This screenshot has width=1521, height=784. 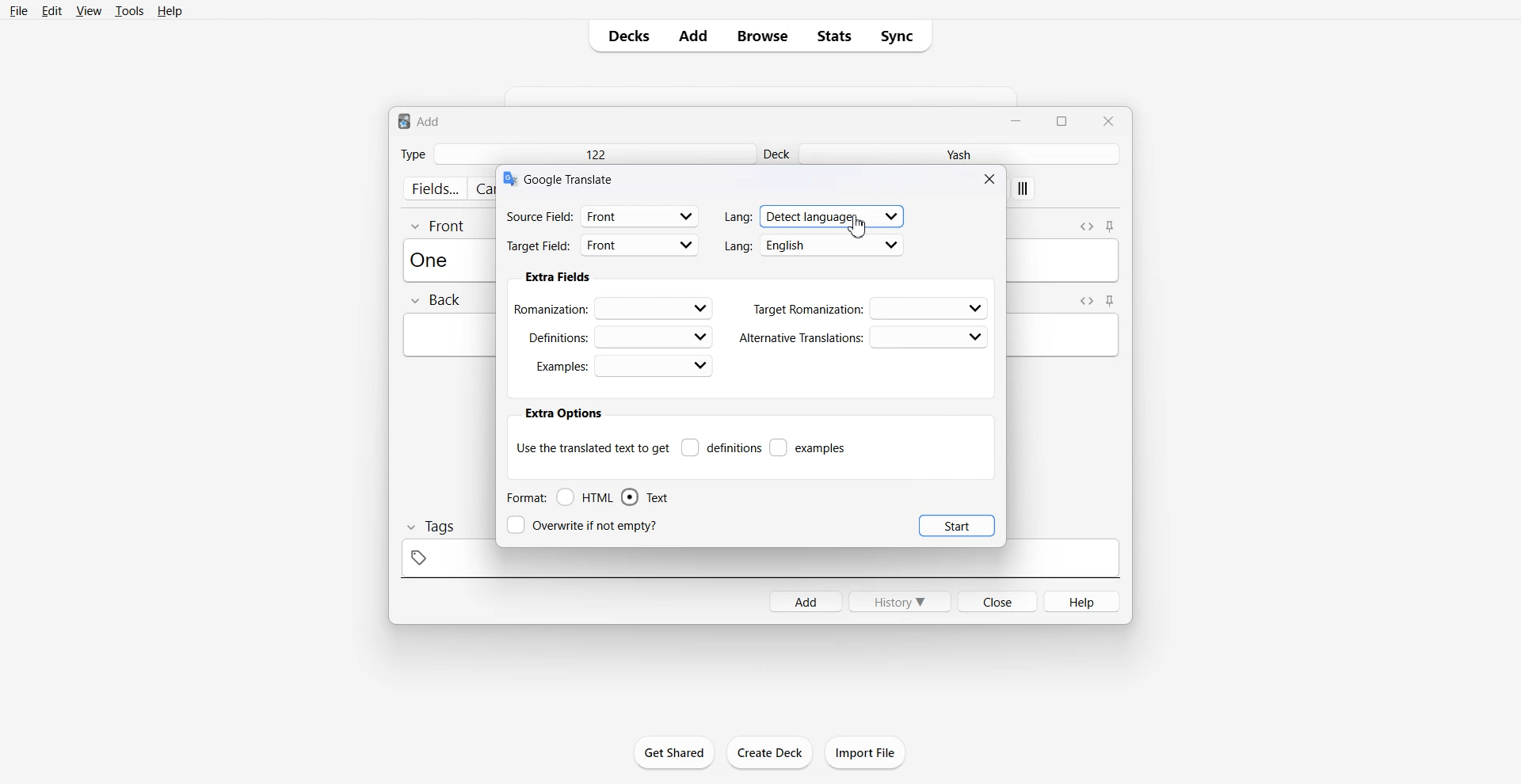 What do you see at coordinates (814, 215) in the screenshot?
I see `Language` at bounding box center [814, 215].